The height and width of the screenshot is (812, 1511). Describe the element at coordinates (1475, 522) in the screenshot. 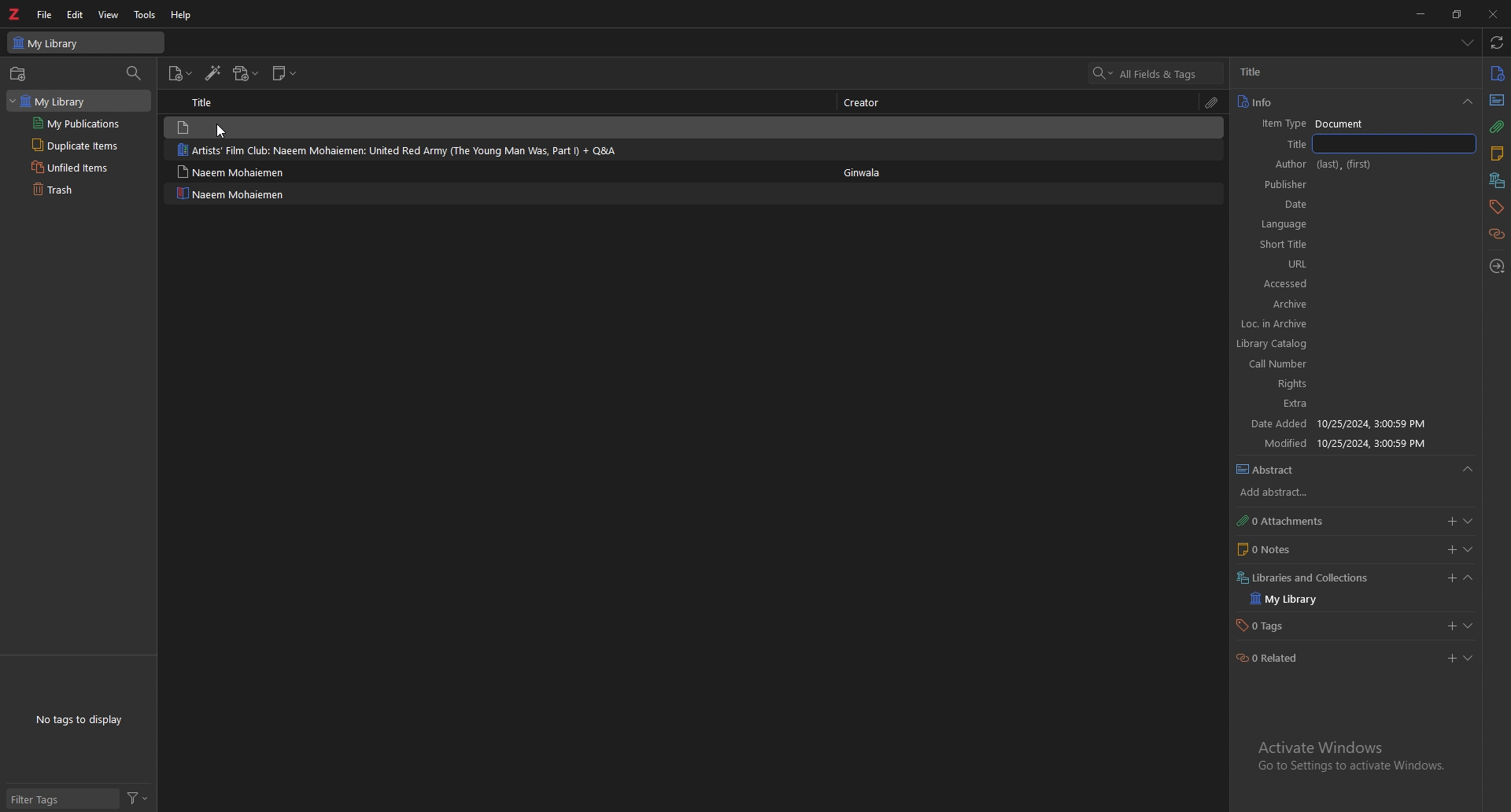

I see `expand section` at that location.